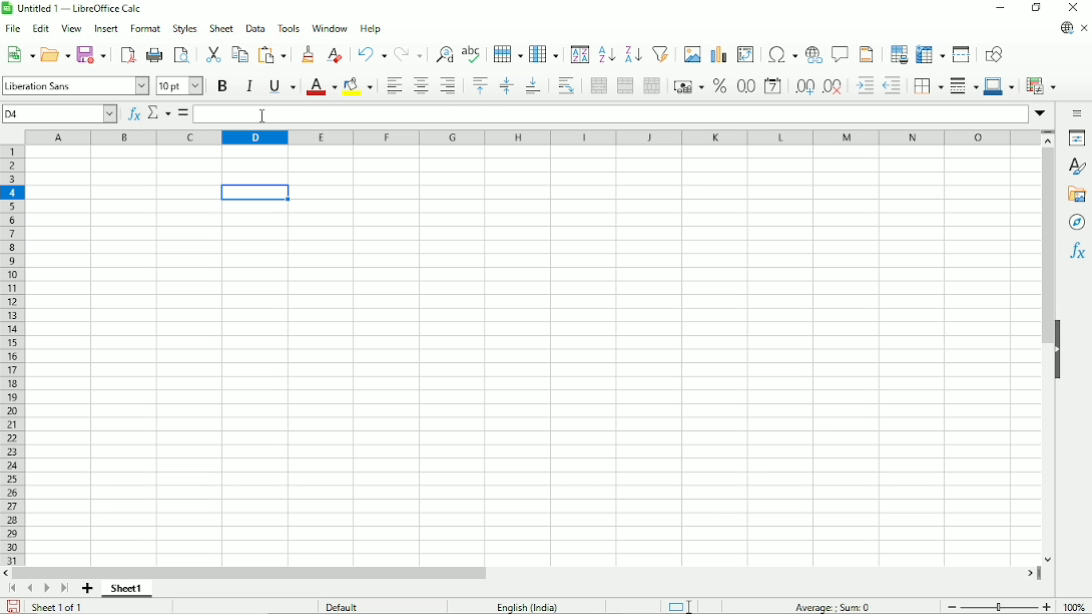  I want to click on Restore down, so click(1037, 7).